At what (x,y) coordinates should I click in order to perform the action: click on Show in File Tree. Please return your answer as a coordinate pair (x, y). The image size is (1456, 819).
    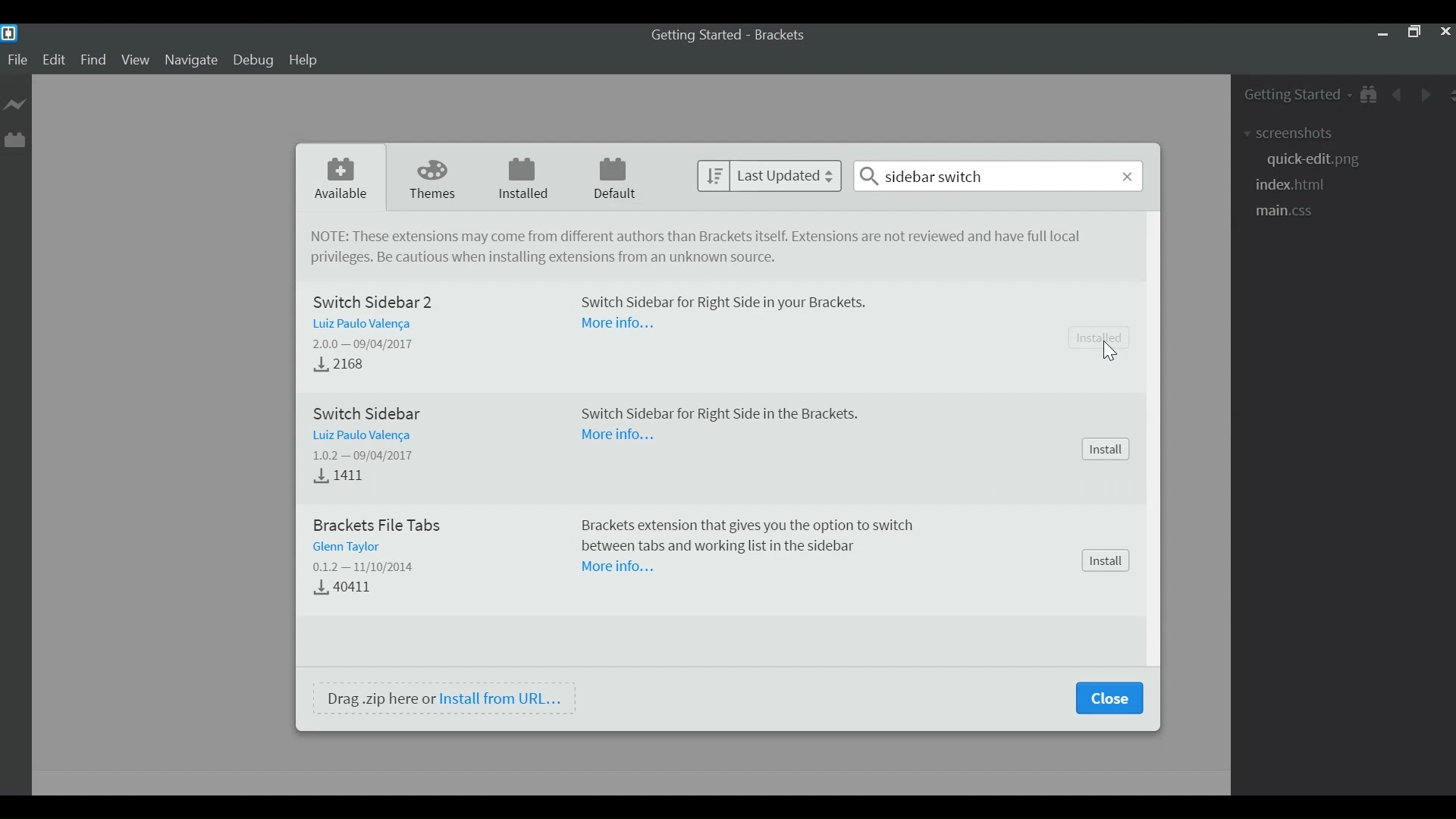
    Looking at the image, I should click on (1372, 96).